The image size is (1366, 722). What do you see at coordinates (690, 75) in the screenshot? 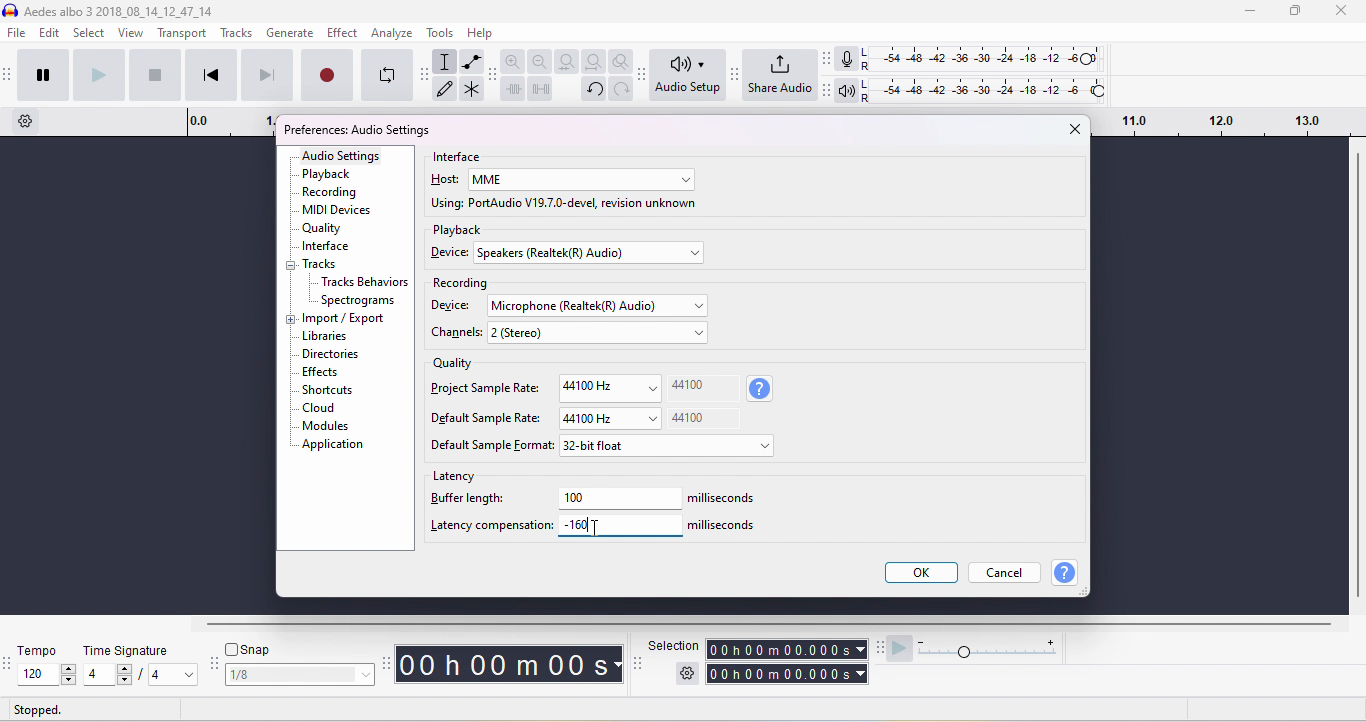
I see `audio set up` at bounding box center [690, 75].